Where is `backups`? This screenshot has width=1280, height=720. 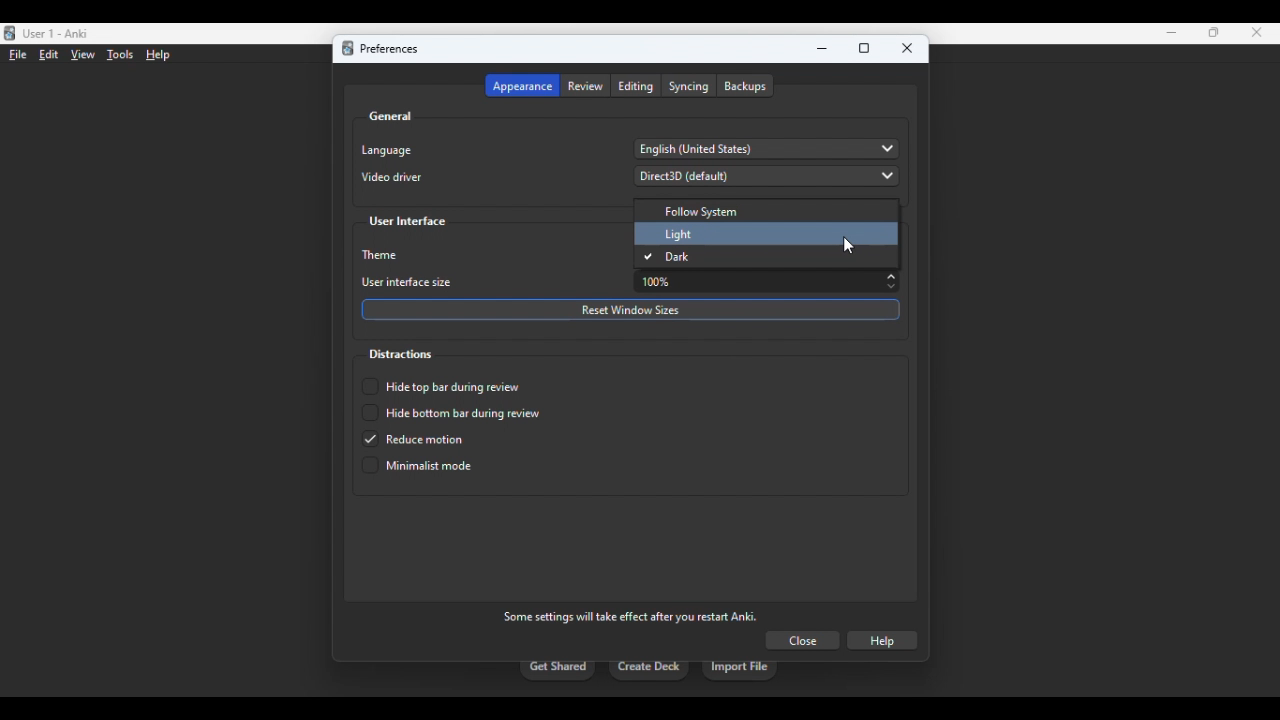 backups is located at coordinates (745, 86).